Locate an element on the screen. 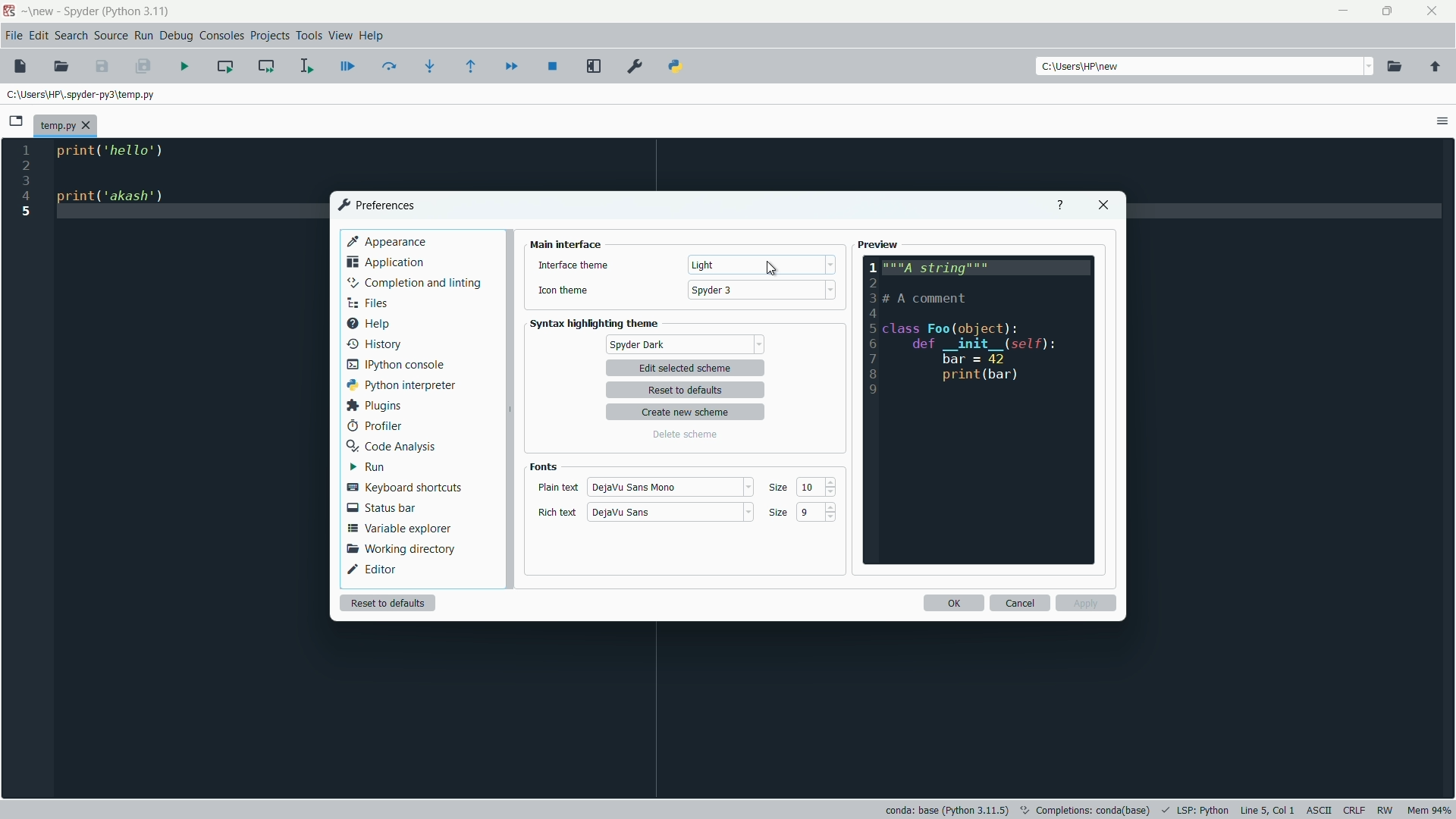 The width and height of the screenshot is (1456, 819). syntax highlighting theme is located at coordinates (598, 324).